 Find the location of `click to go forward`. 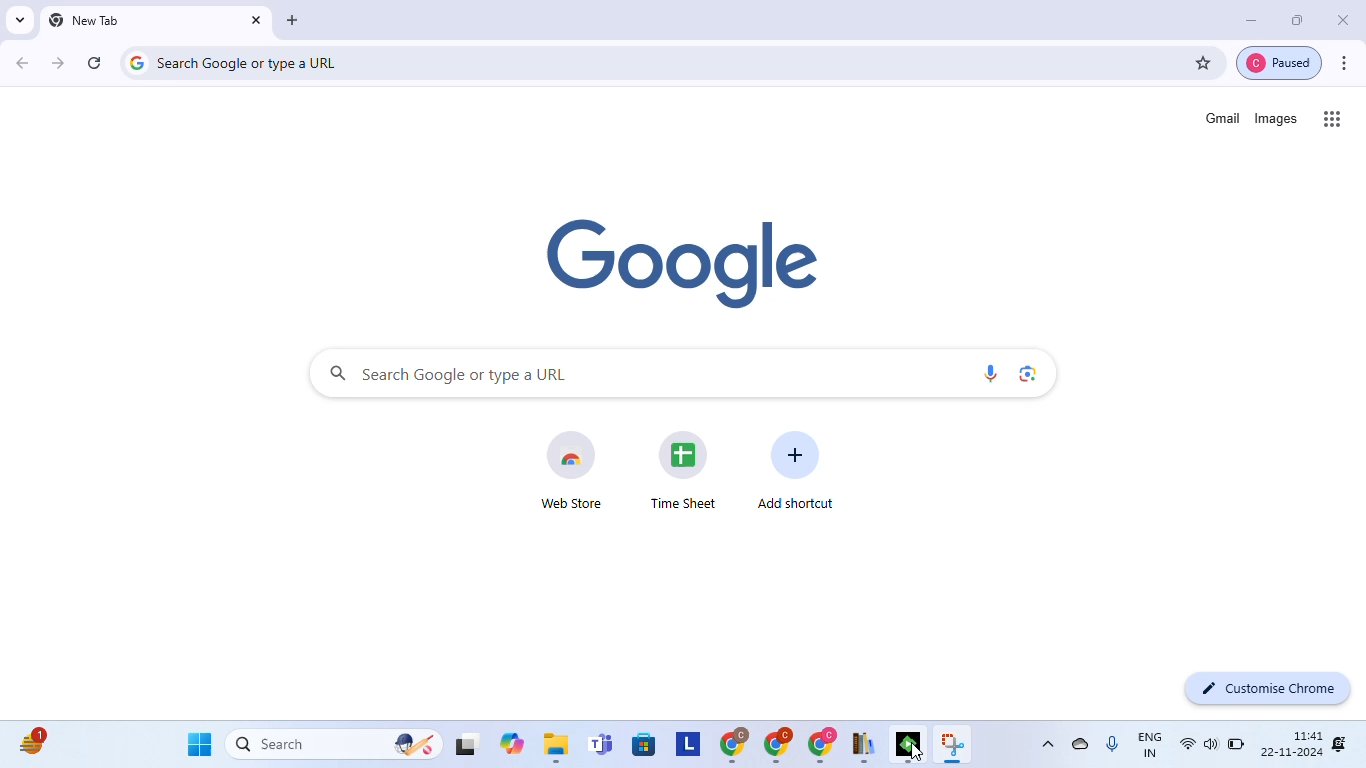

click to go forward is located at coordinates (57, 63).